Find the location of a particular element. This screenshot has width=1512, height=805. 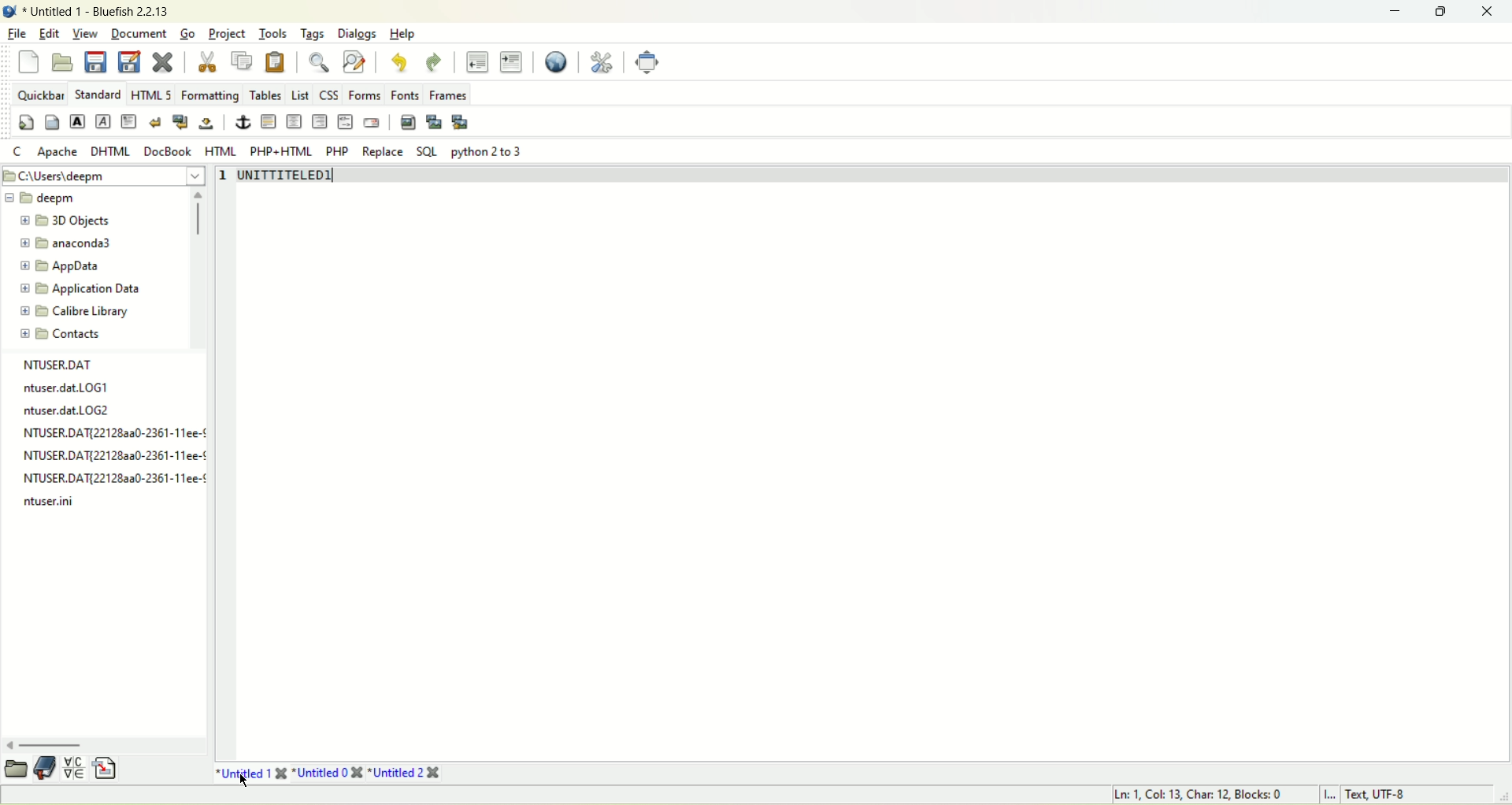

View is located at coordinates (86, 32).